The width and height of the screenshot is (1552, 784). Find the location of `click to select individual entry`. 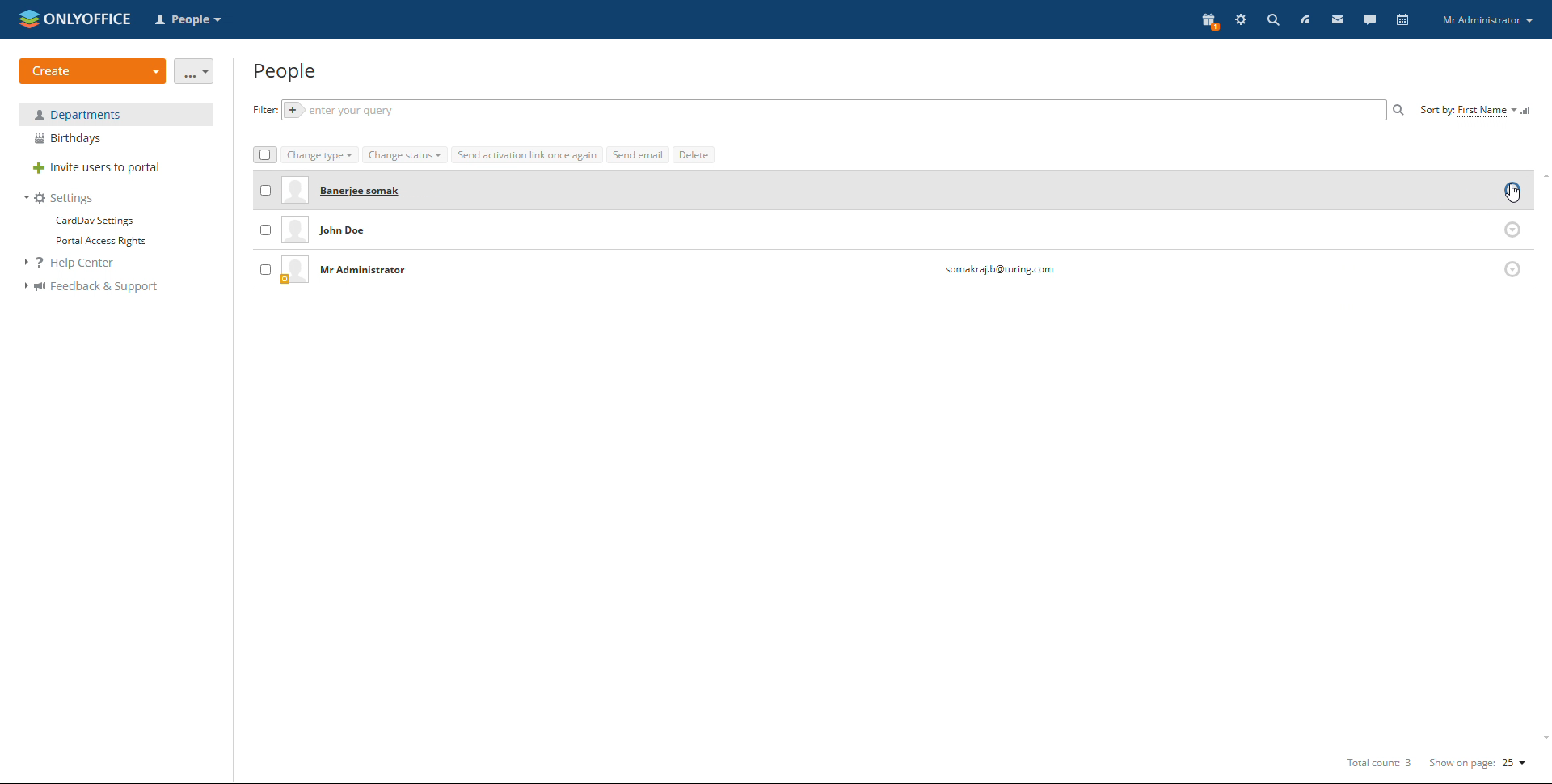

click to select individual entry is located at coordinates (265, 269).